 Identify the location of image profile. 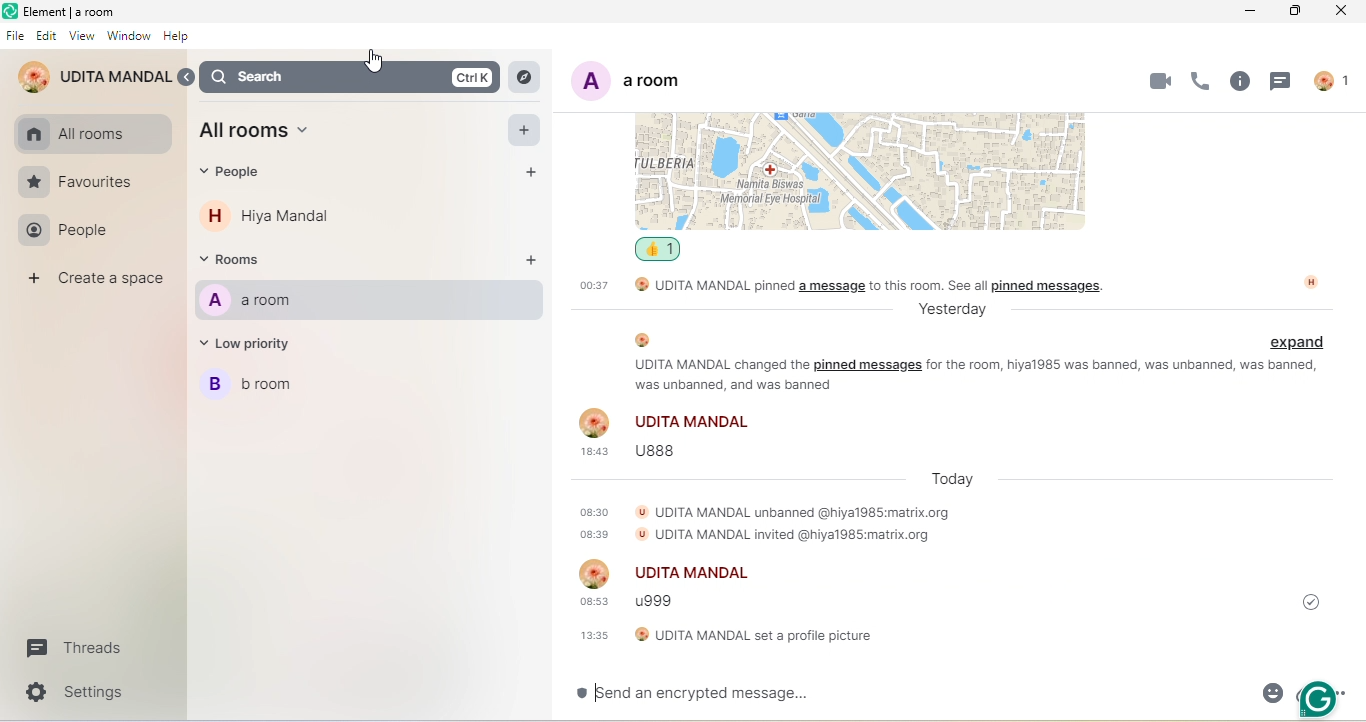
(648, 338).